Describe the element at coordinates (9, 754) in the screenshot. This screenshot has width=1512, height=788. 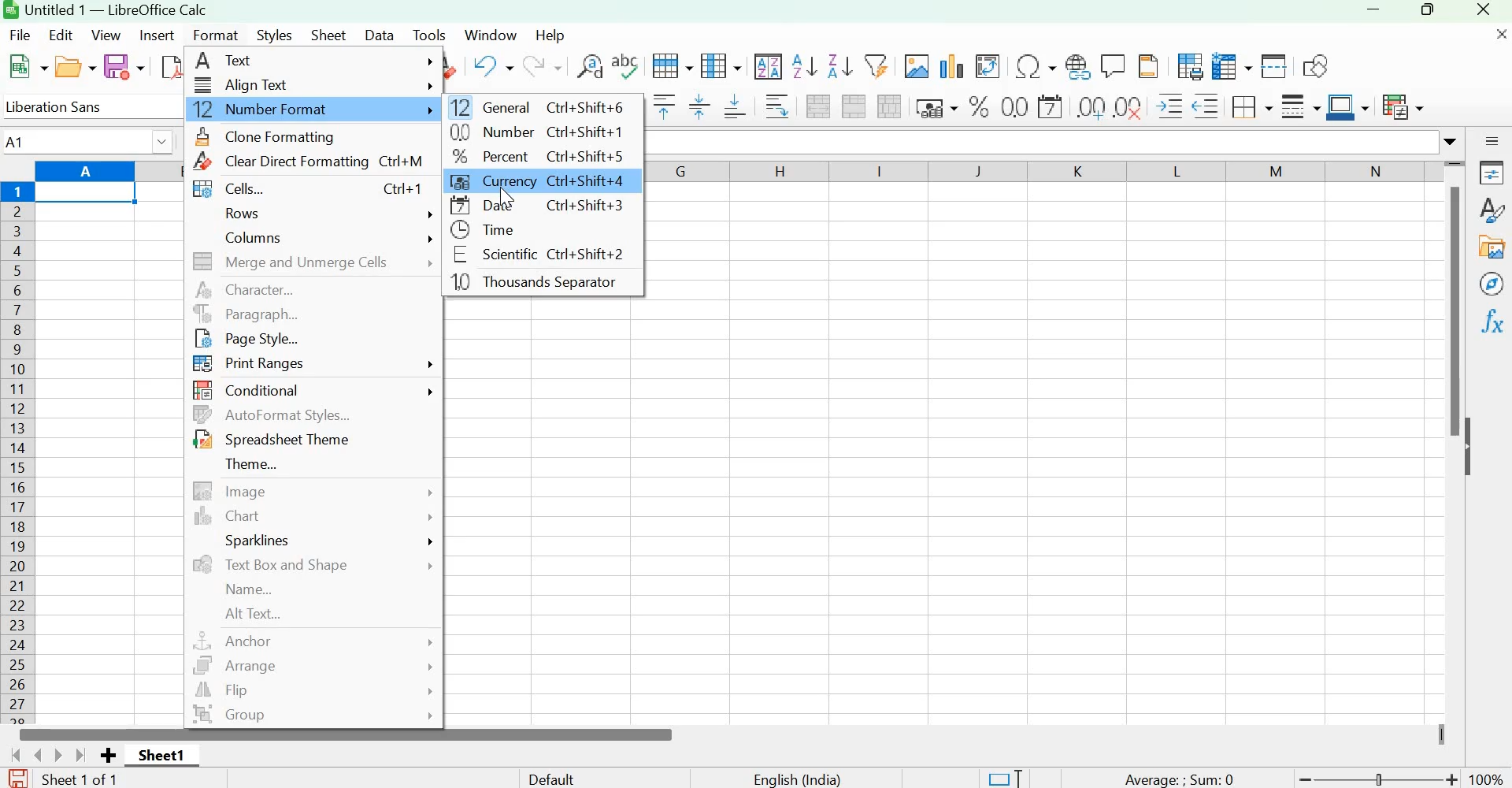
I see `Scroll to first sheet` at that location.